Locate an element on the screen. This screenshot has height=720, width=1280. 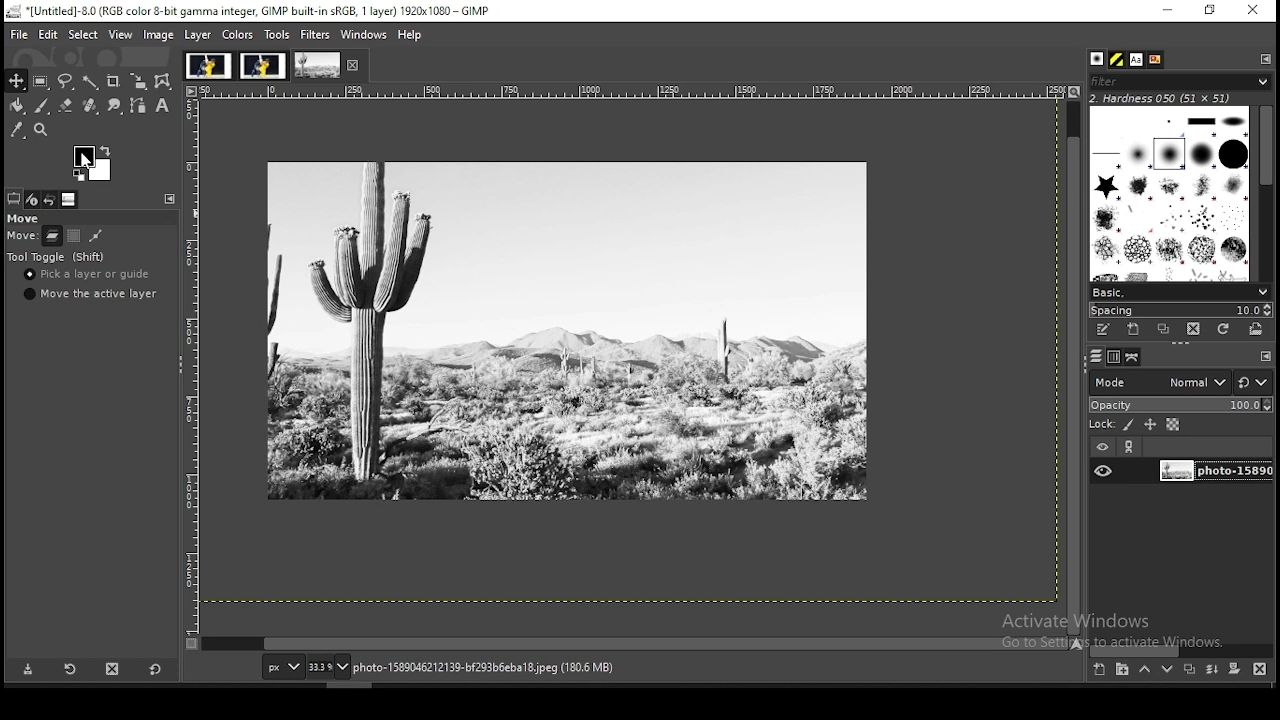
undo history is located at coordinates (52, 200).